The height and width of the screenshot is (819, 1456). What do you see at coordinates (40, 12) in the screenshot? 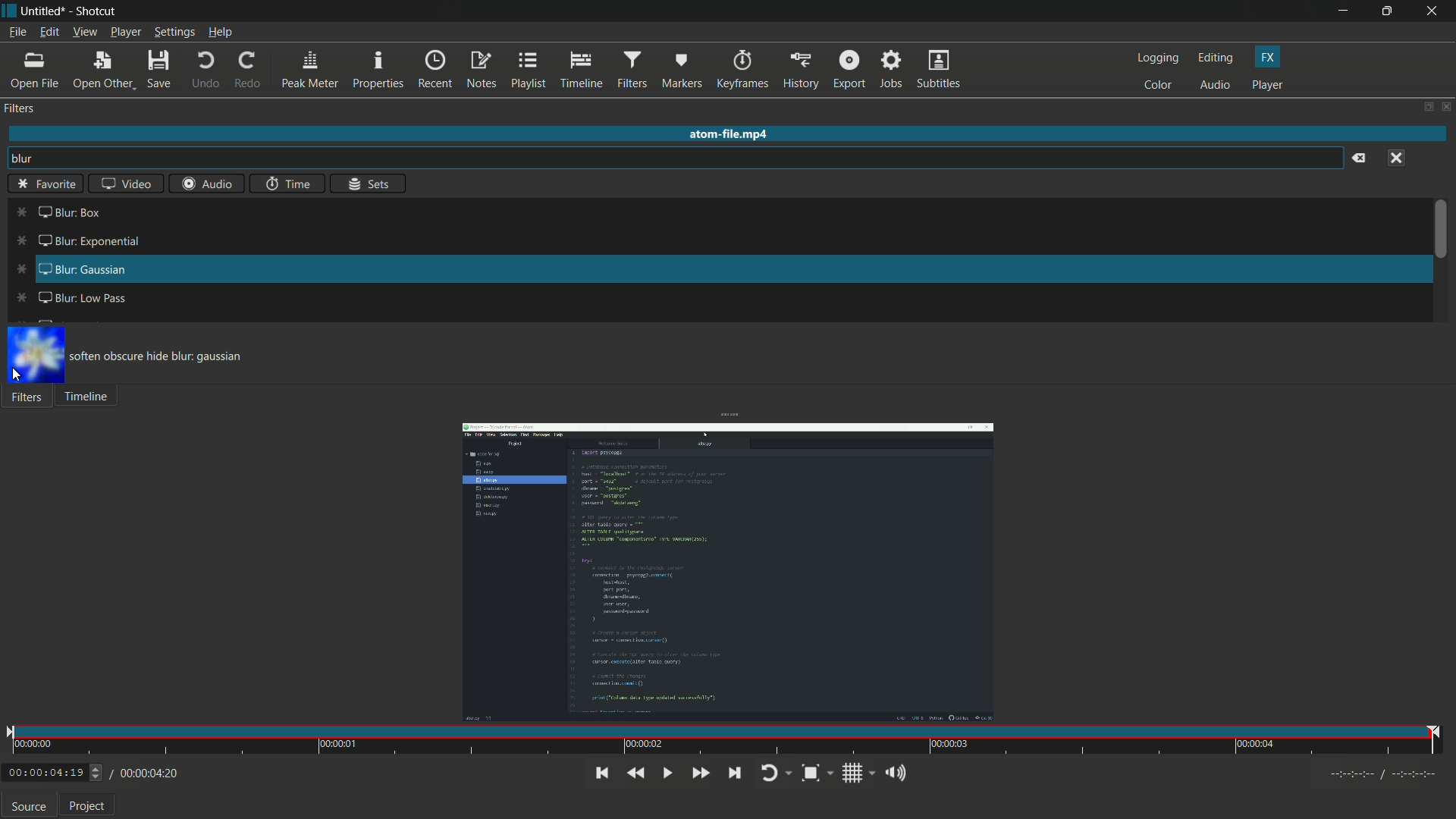
I see `file name` at bounding box center [40, 12].